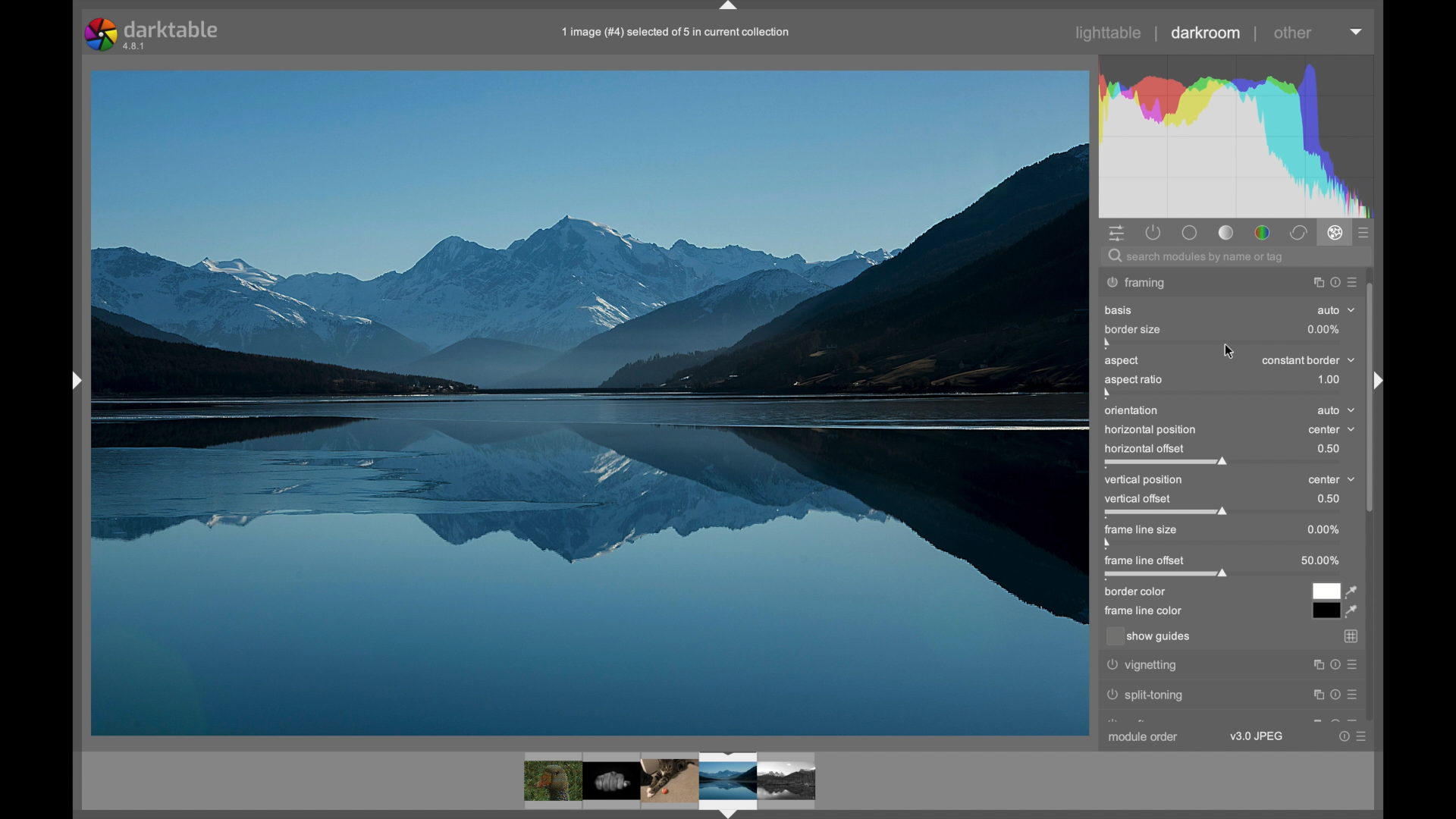 Image resolution: width=1456 pixels, height=819 pixels. Describe the element at coordinates (1329, 498) in the screenshot. I see `0.5` at that location.